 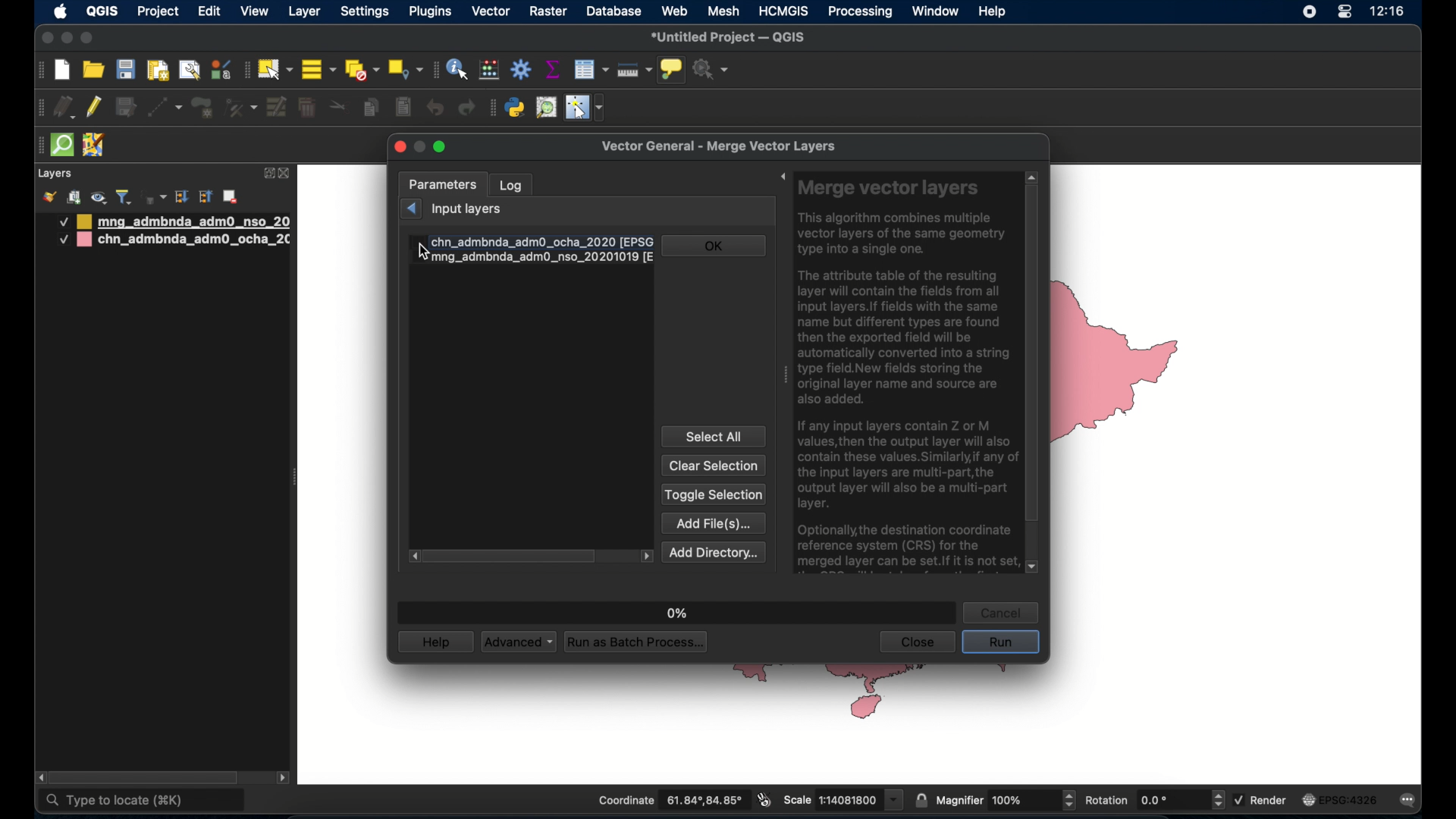 I want to click on render, so click(x=1262, y=799).